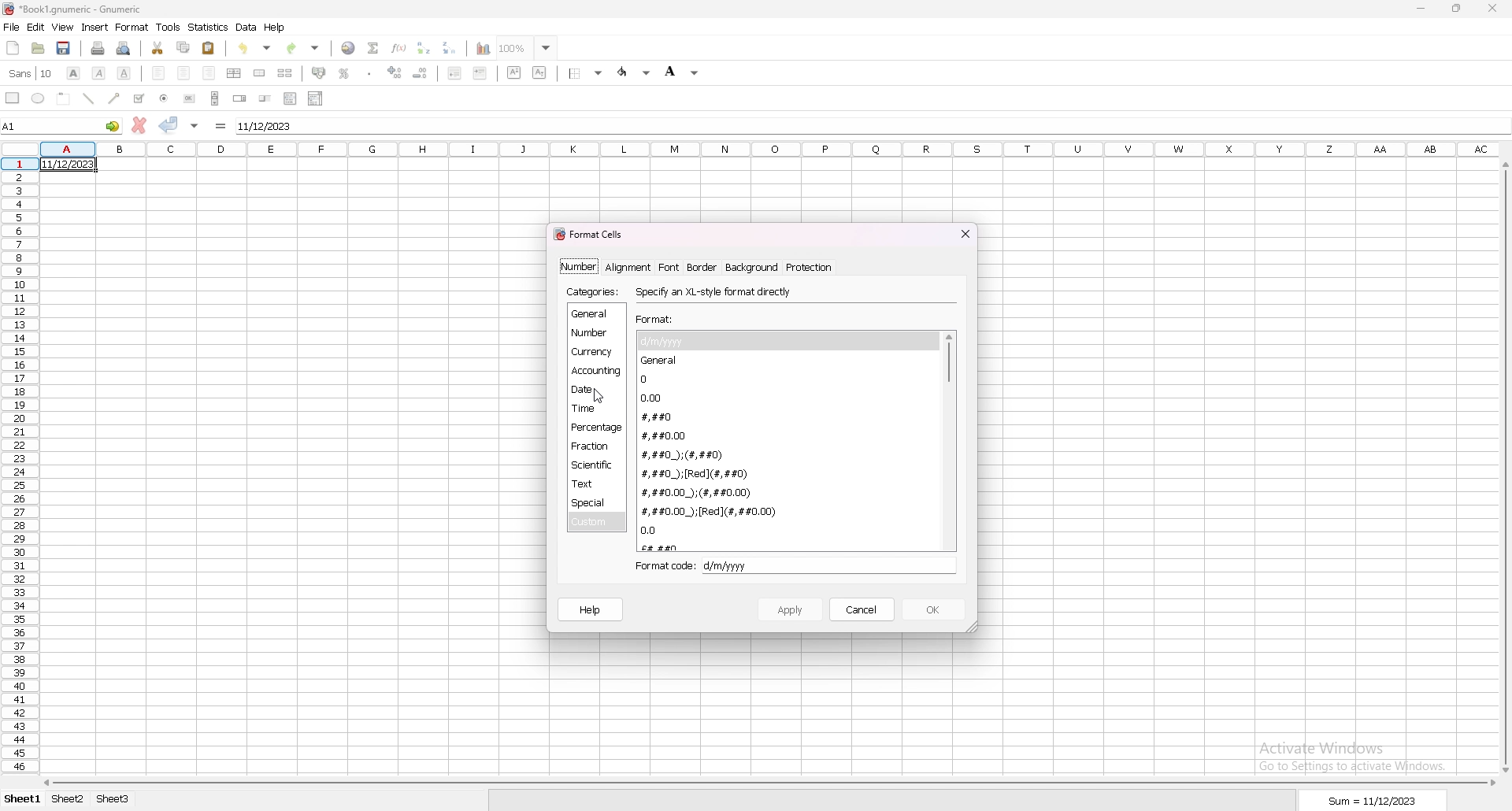  Describe the element at coordinates (661, 398) in the screenshot. I see `0.00` at that location.